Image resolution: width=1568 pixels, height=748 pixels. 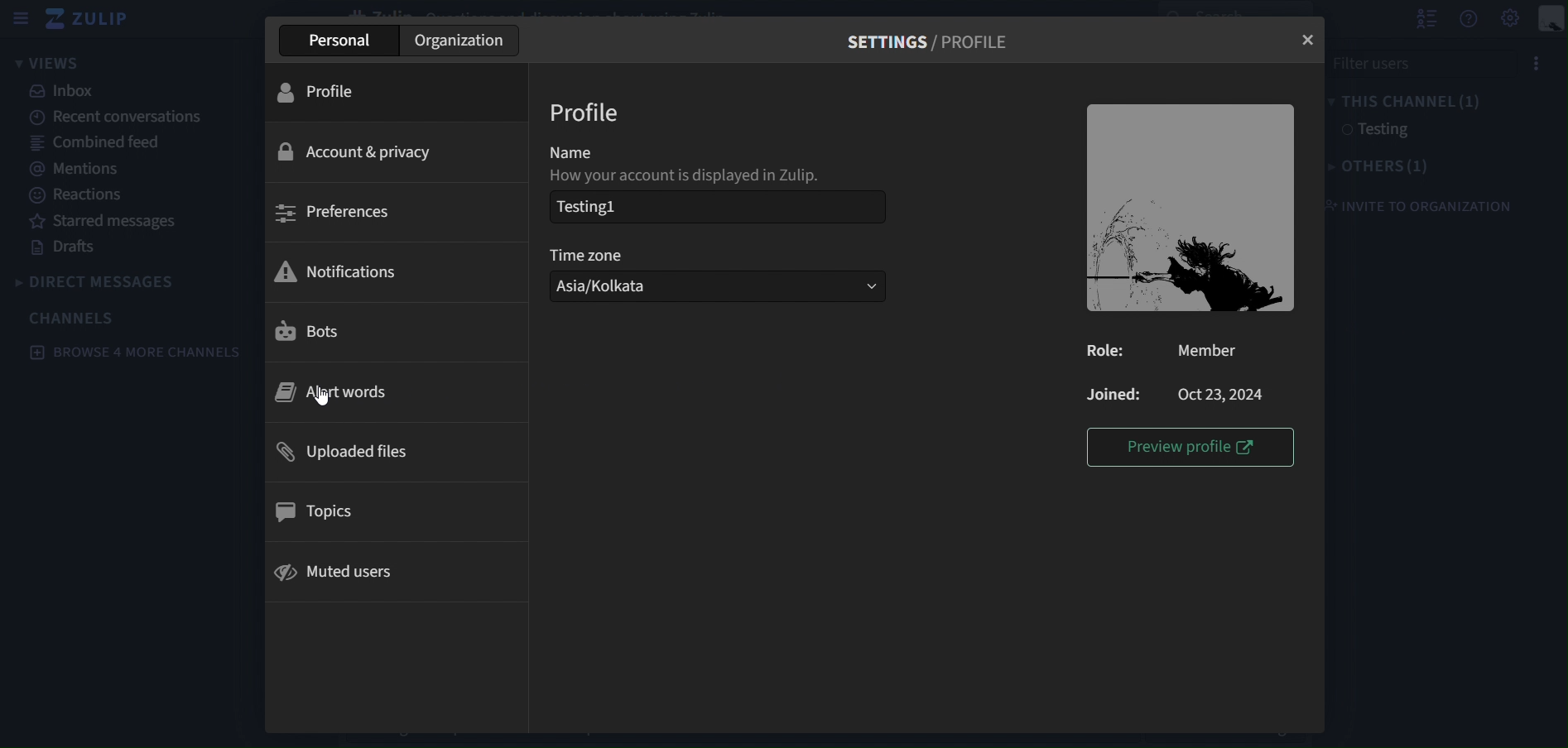 What do you see at coordinates (1226, 396) in the screenshot?
I see ` Oct23,2024` at bounding box center [1226, 396].